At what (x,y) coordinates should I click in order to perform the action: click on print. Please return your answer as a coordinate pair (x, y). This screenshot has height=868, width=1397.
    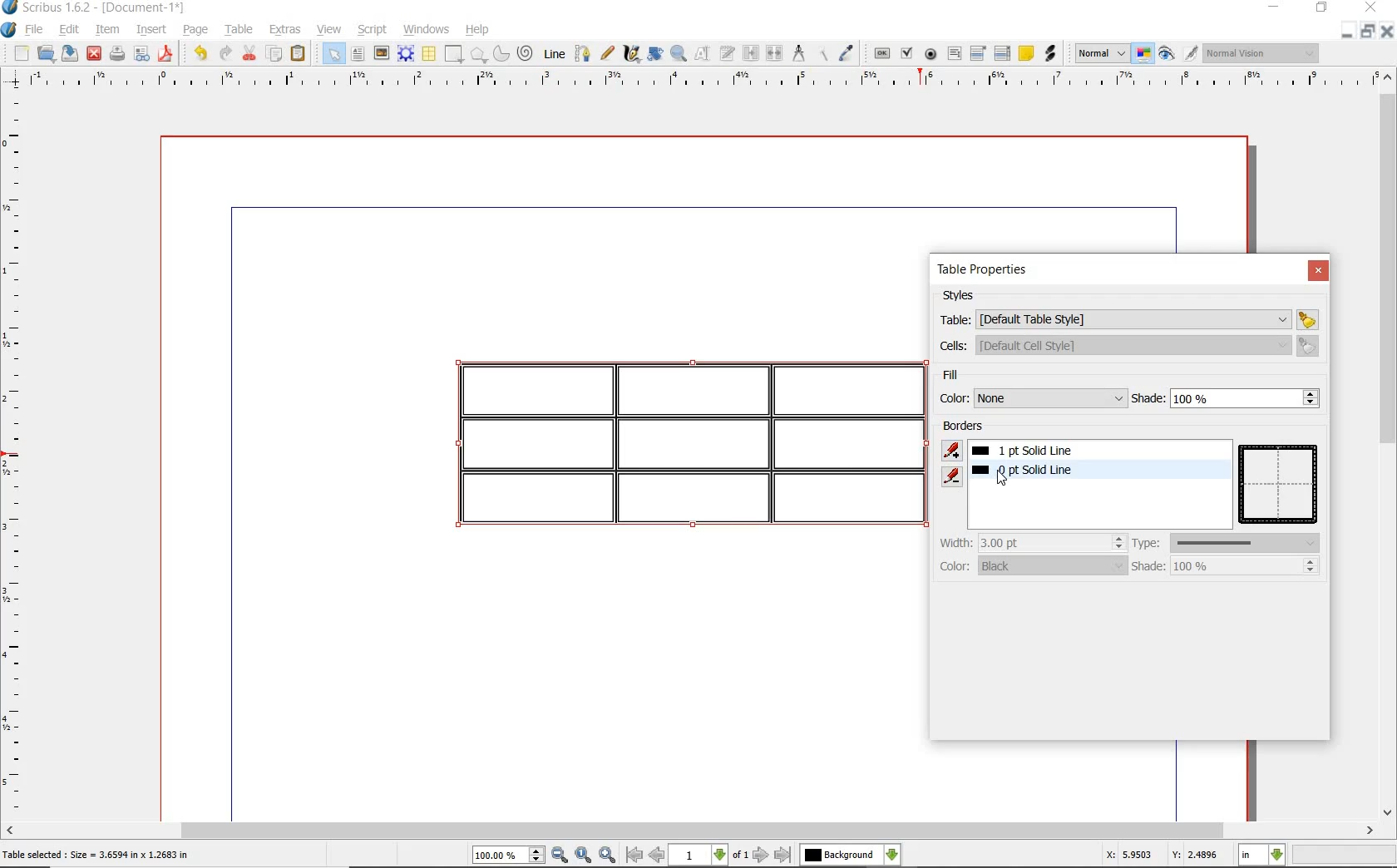
    Looking at the image, I should click on (118, 55).